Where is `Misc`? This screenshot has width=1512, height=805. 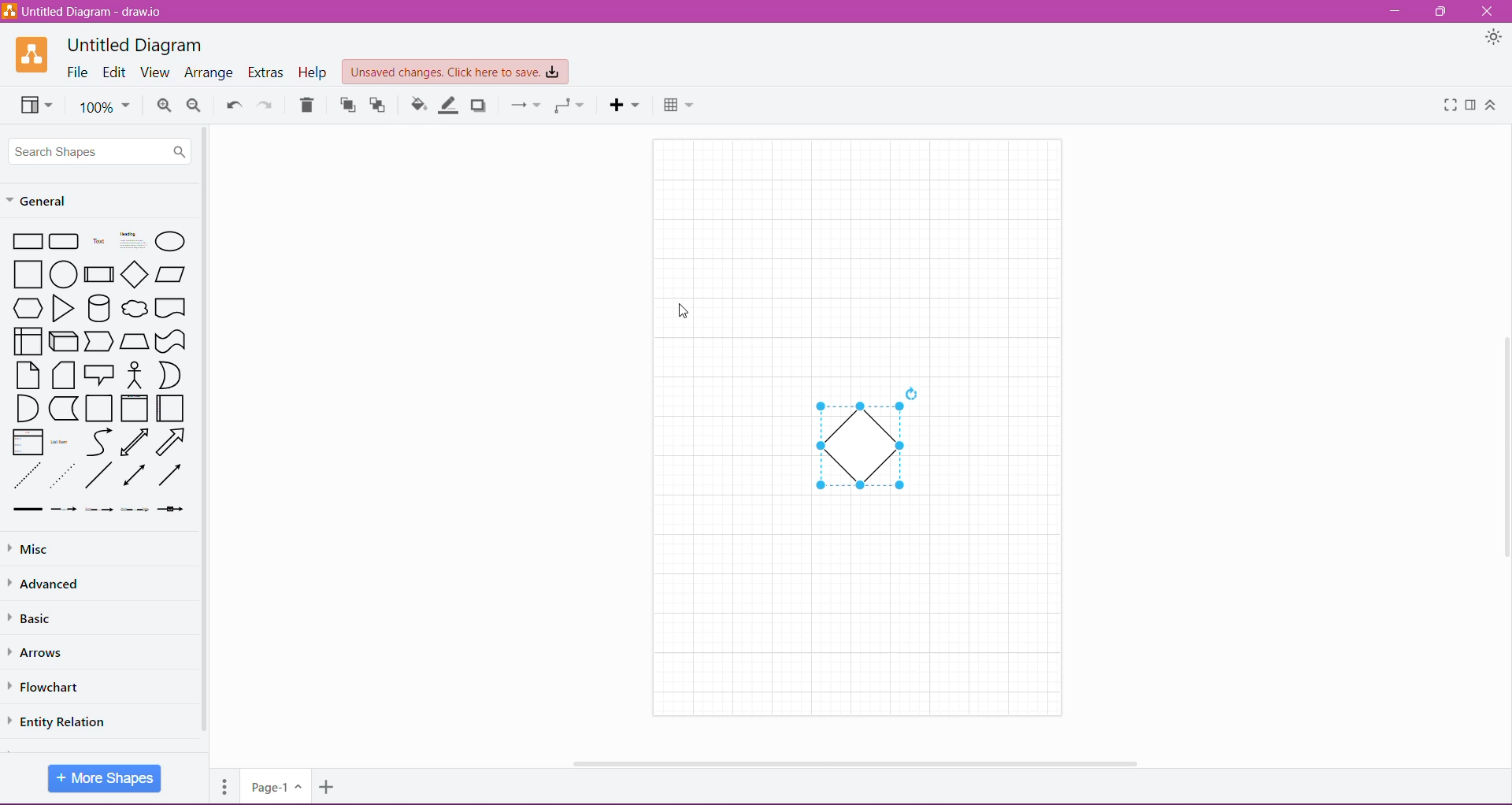 Misc is located at coordinates (38, 548).